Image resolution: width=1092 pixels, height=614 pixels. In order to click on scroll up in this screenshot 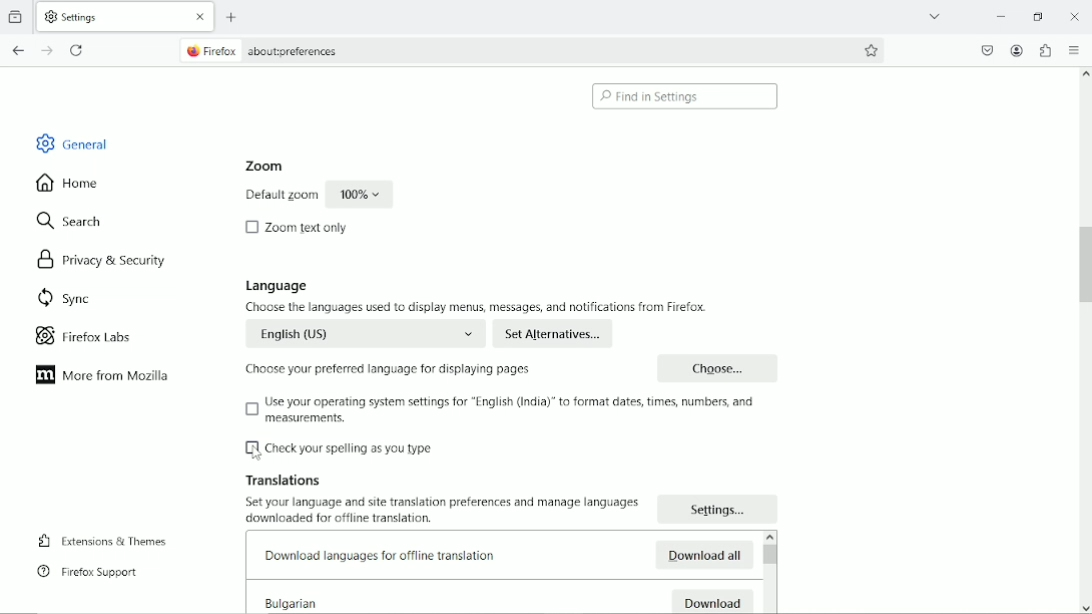, I will do `click(770, 537)`.